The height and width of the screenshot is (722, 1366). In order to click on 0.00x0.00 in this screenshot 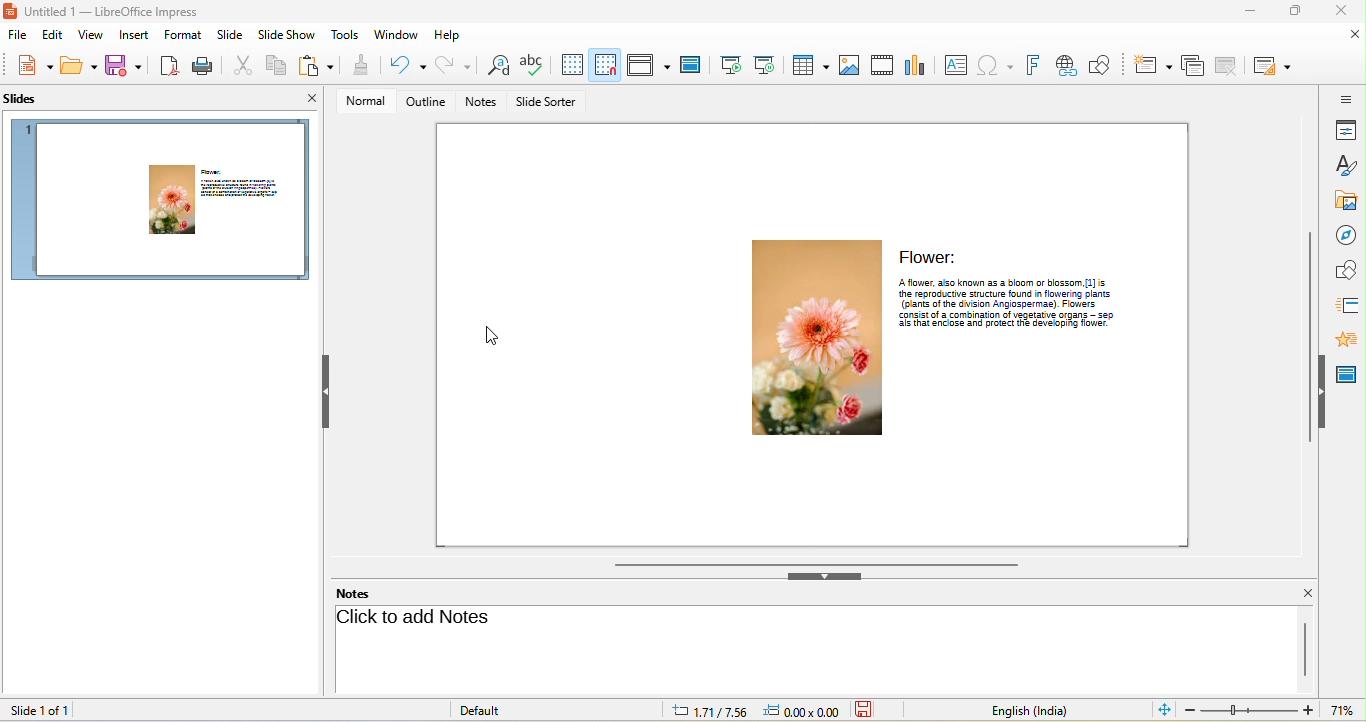, I will do `click(801, 710)`.